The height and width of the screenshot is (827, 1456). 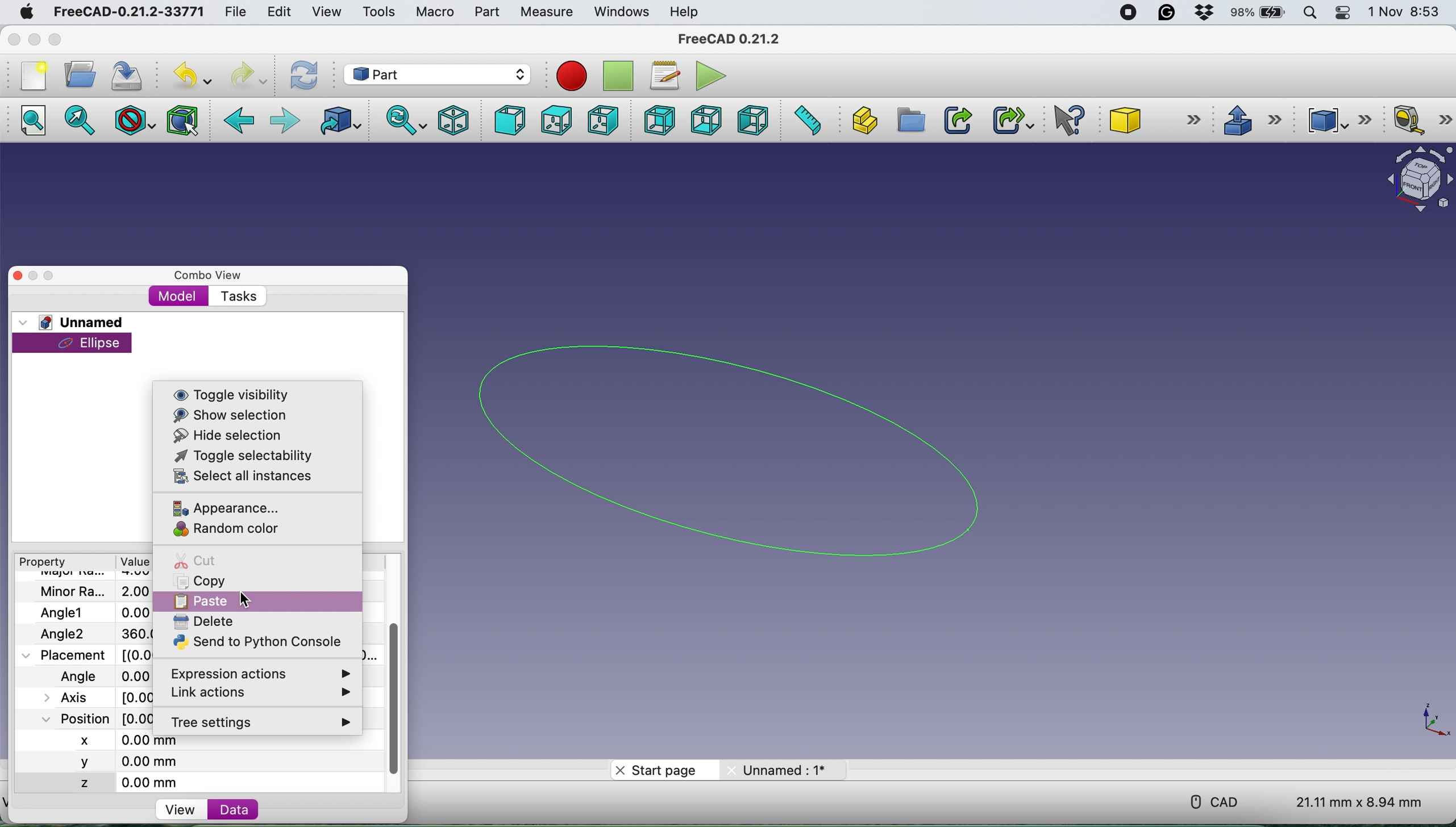 What do you see at coordinates (192, 73) in the screenshot?
I see `undo` at bounding box center [192, 73].